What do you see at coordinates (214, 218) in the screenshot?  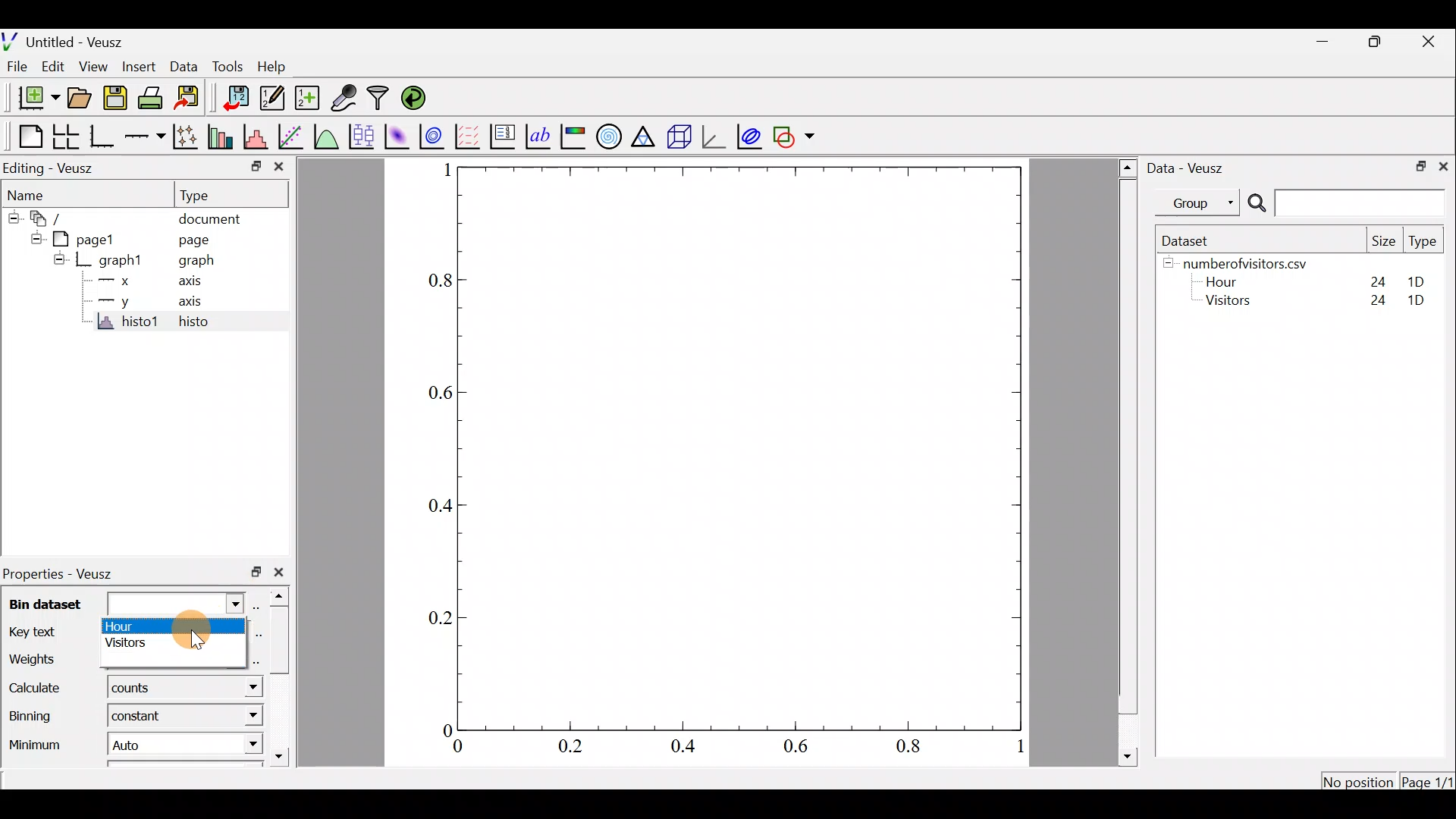 I see `document` at bounding box center [214, 218].